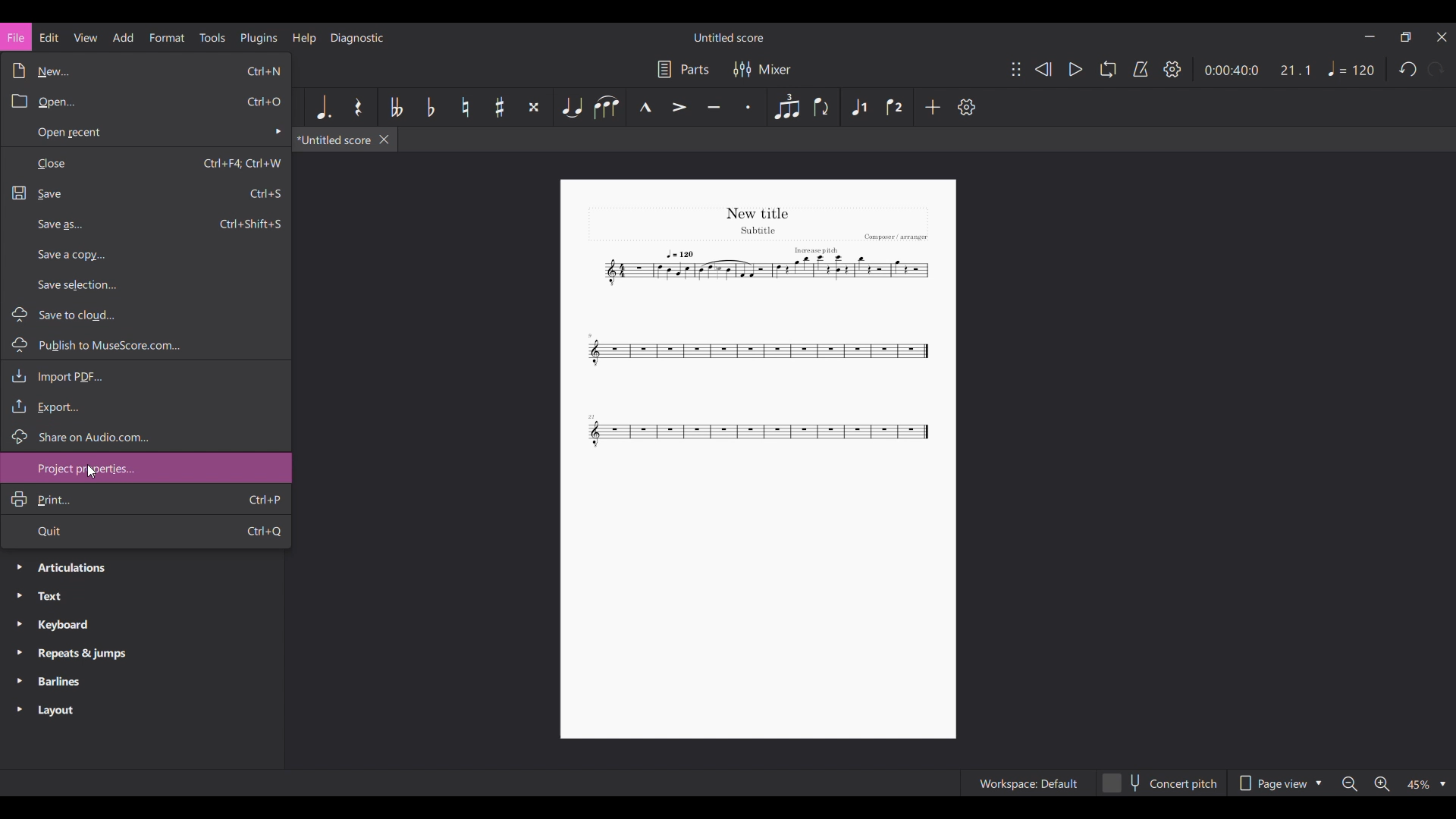 The image size is (1456, 819). Describe the element at coordinates (334, 140) in the screenshot. I see `*Untitled score, current tab` at that location.